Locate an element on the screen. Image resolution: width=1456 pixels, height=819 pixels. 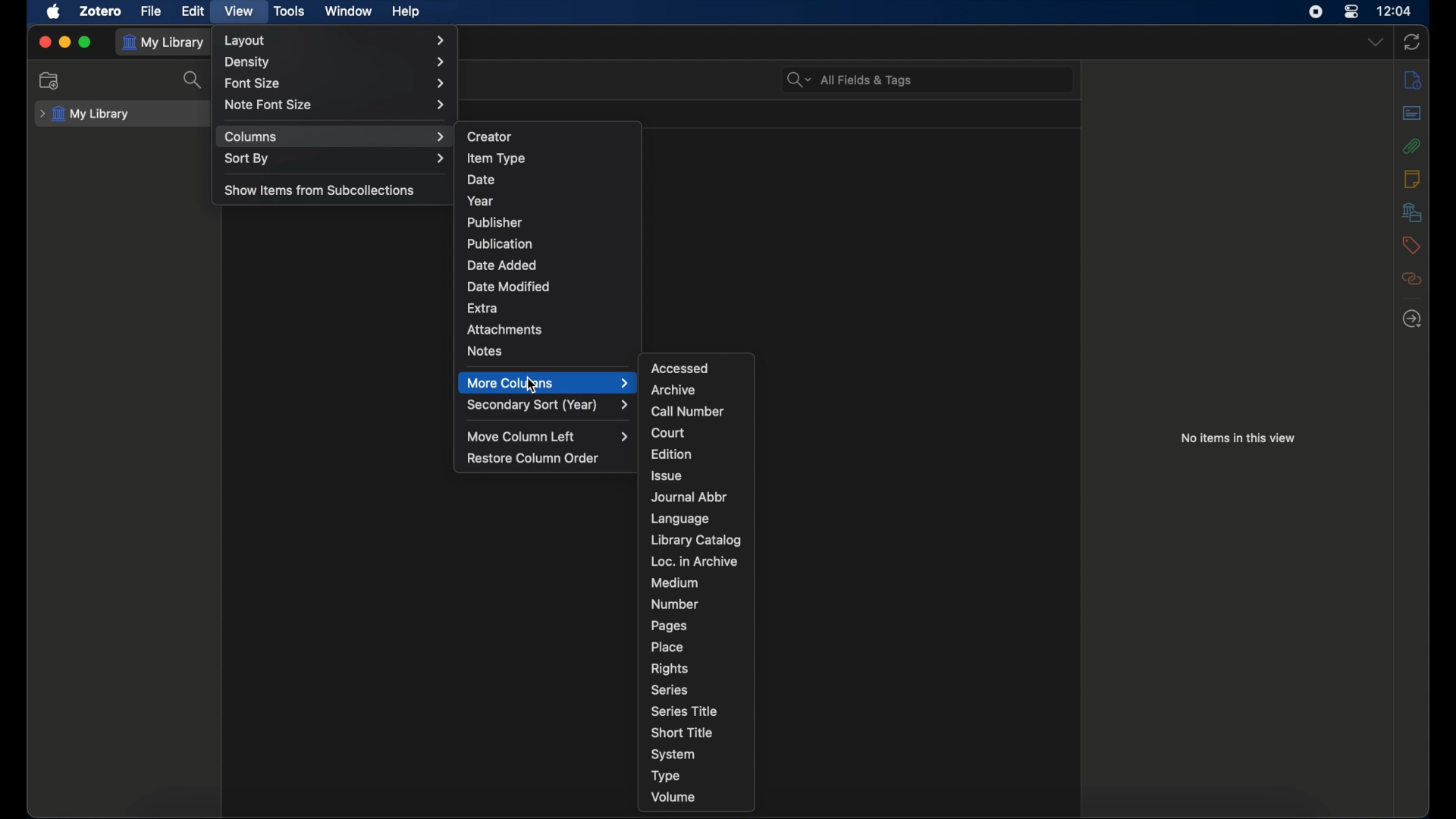
info is located at coordinates (1412, 80).